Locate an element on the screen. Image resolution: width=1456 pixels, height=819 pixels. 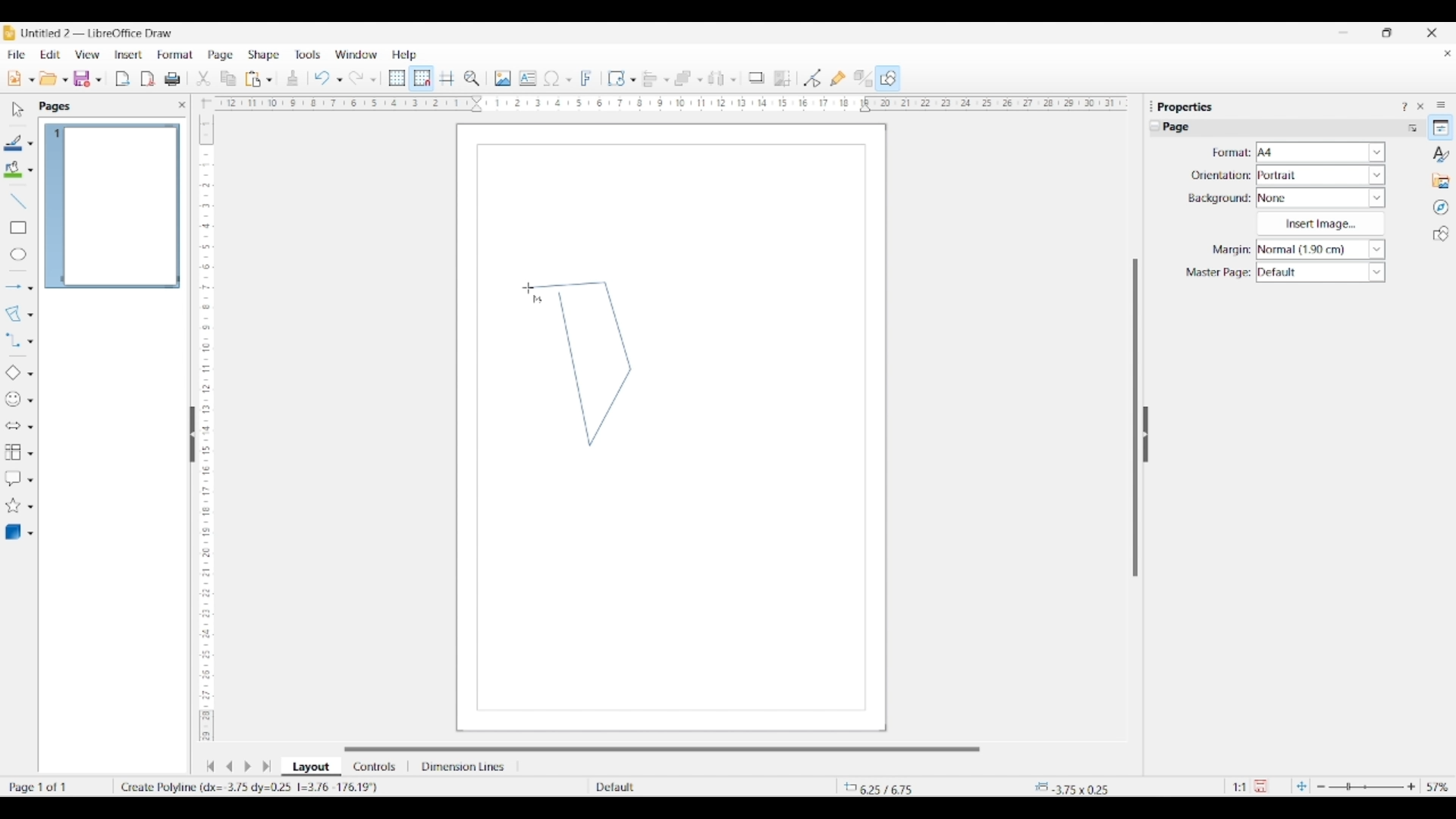
Insert line is located at coordinates (17, 200).